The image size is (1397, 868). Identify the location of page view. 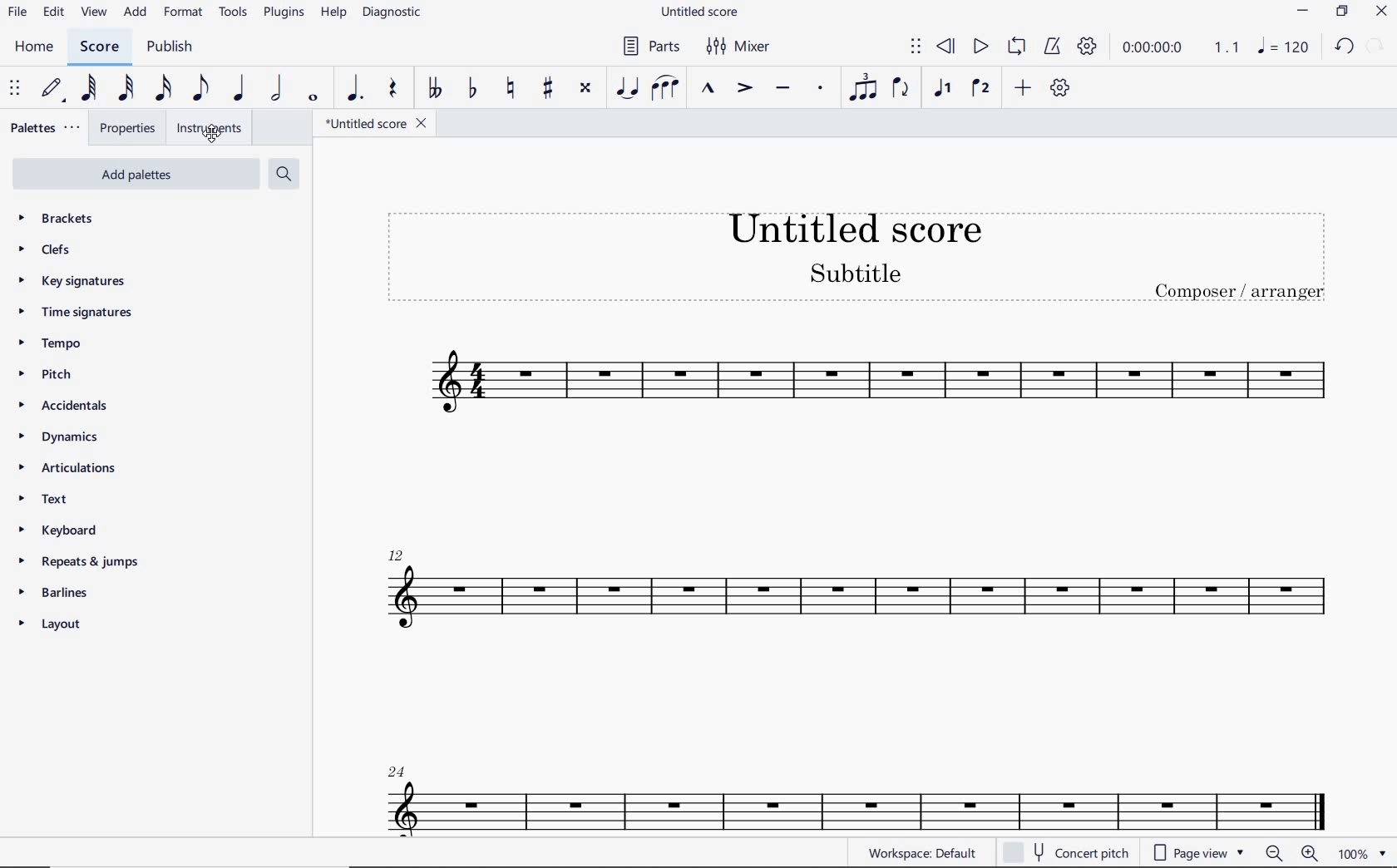
(1199, 854).